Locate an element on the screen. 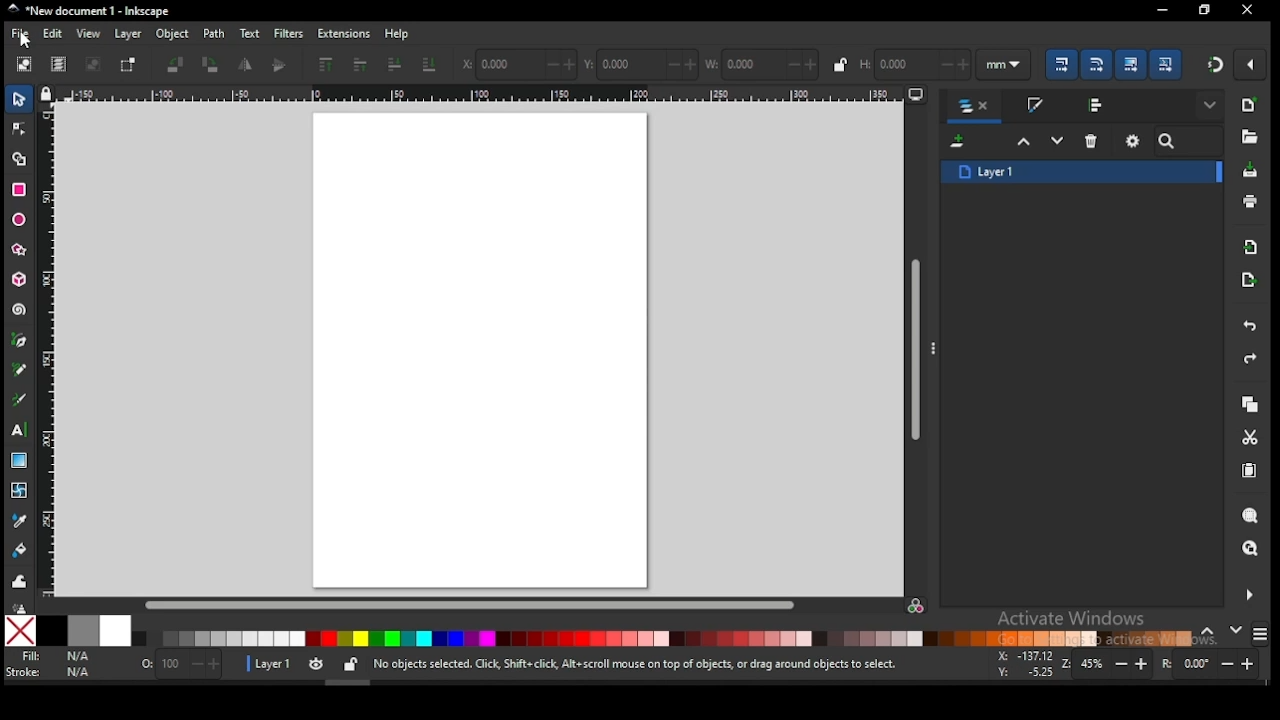 This screenshot has width=1280, height=720. spiral tool is located at coordinates (20, 310).